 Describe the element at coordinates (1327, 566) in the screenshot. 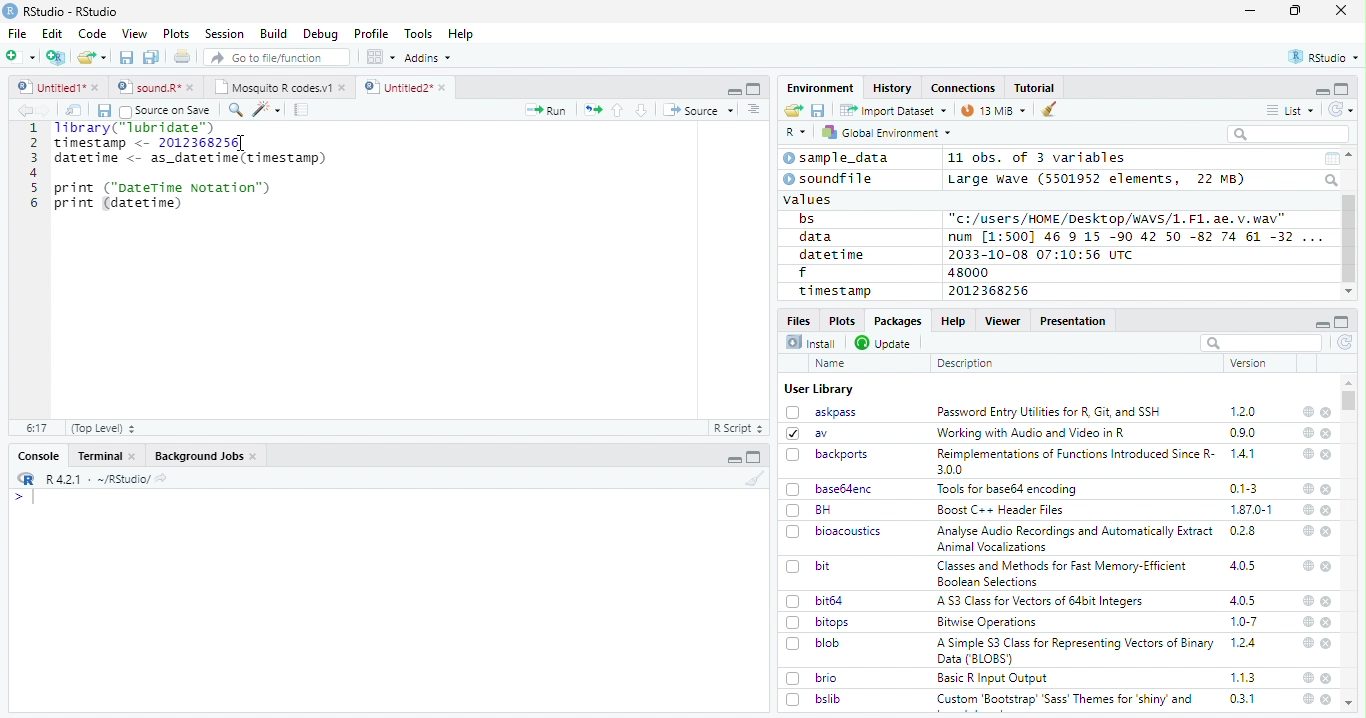

I see `close` at that location.